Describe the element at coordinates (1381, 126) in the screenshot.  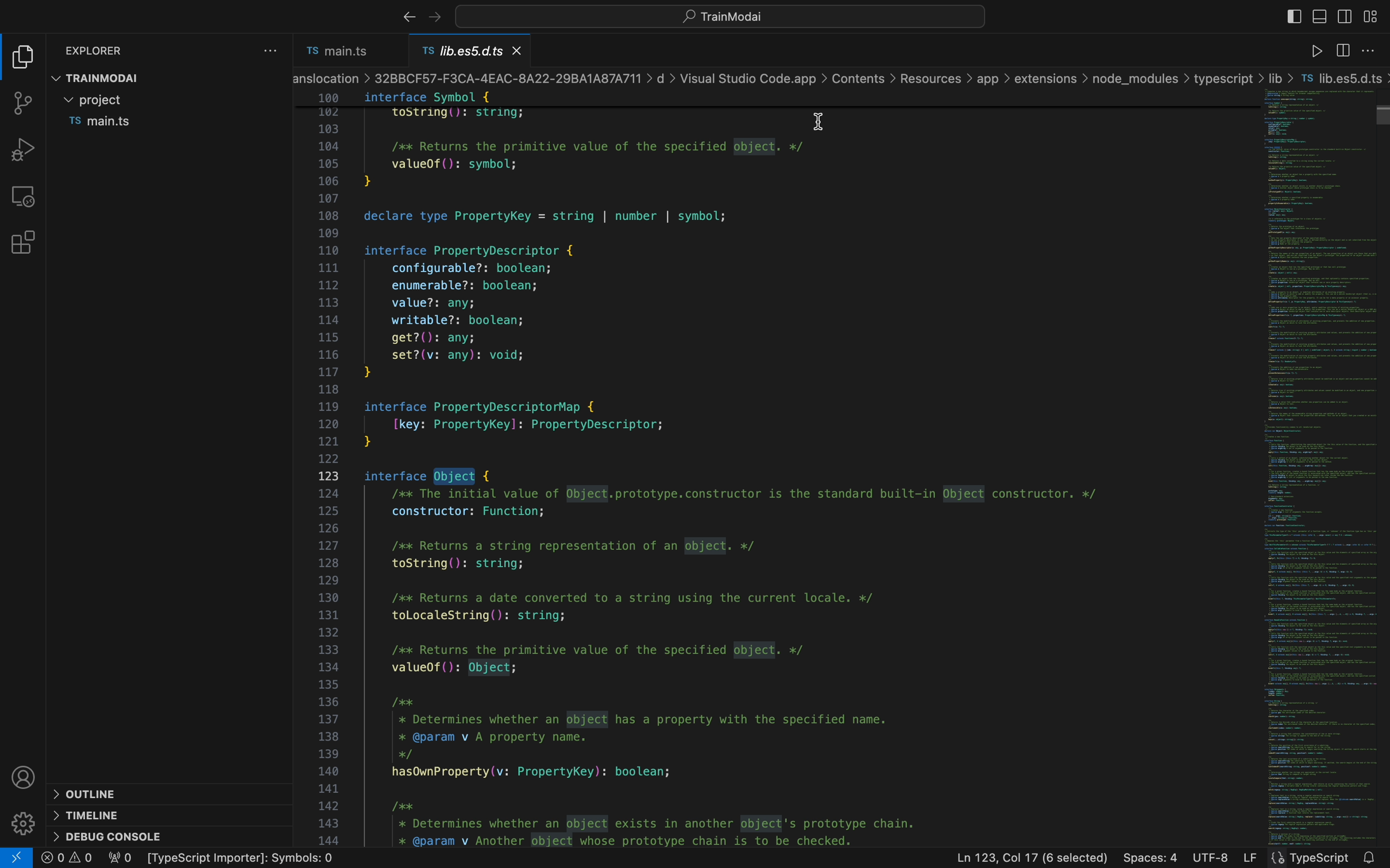
I see `scroll bar` at that location.